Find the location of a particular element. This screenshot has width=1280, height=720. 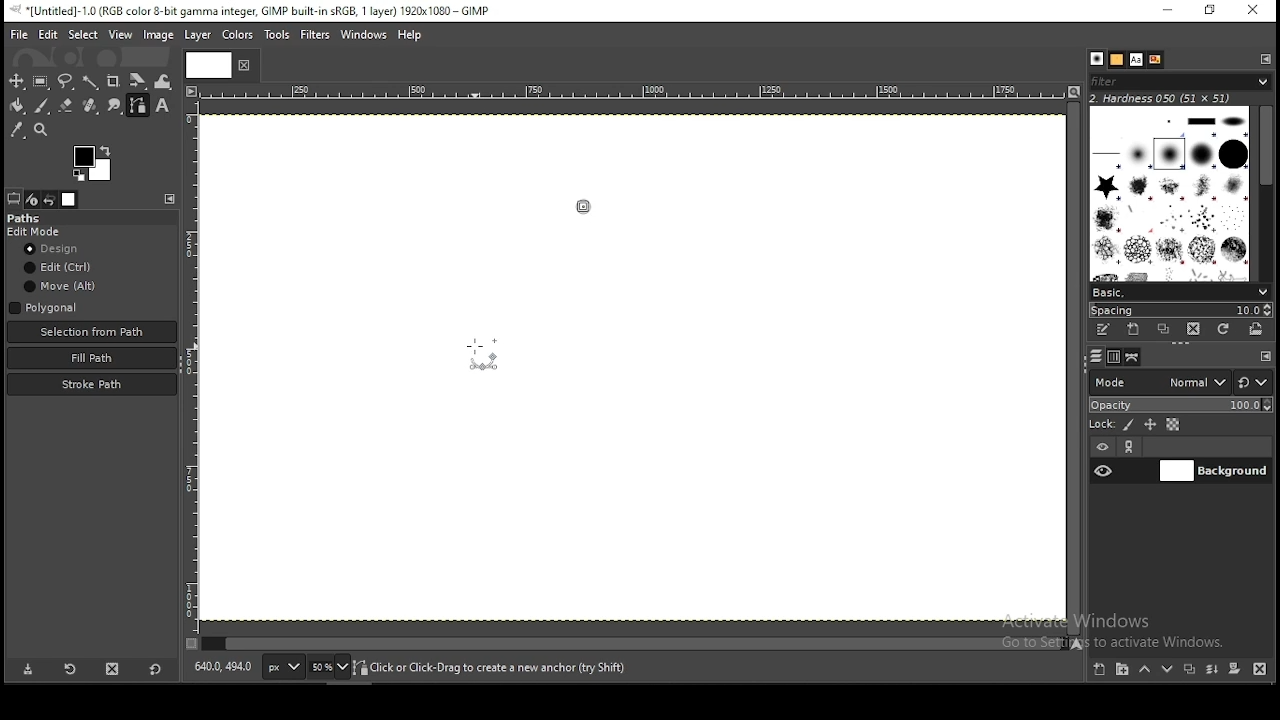

edit this brush is located at coordinates (1102, 329).